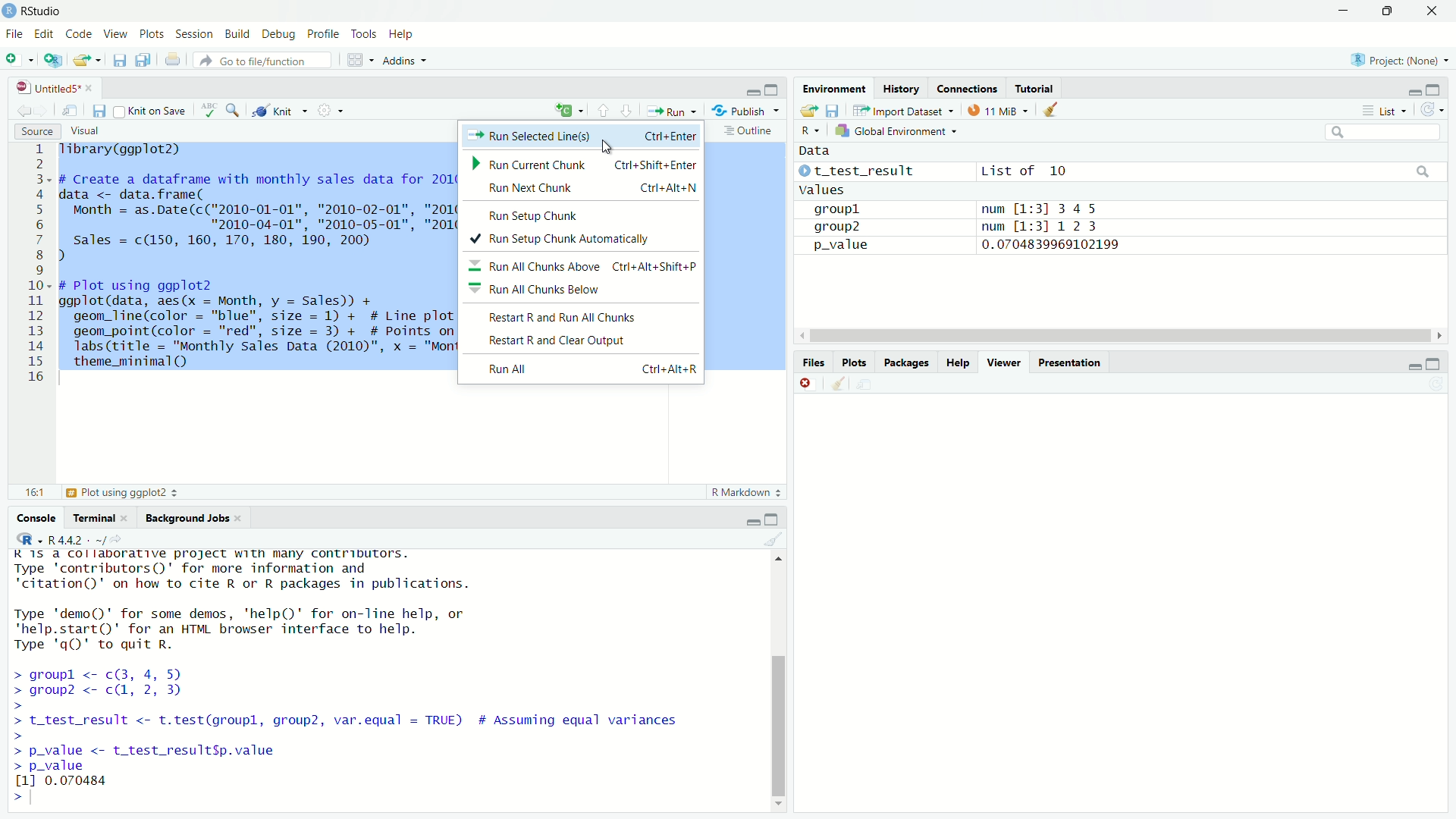 This screenshot has height=819, width=1456. Describe the element at coordinates (30, 109) in the screenshot. I see `go back` at that location.